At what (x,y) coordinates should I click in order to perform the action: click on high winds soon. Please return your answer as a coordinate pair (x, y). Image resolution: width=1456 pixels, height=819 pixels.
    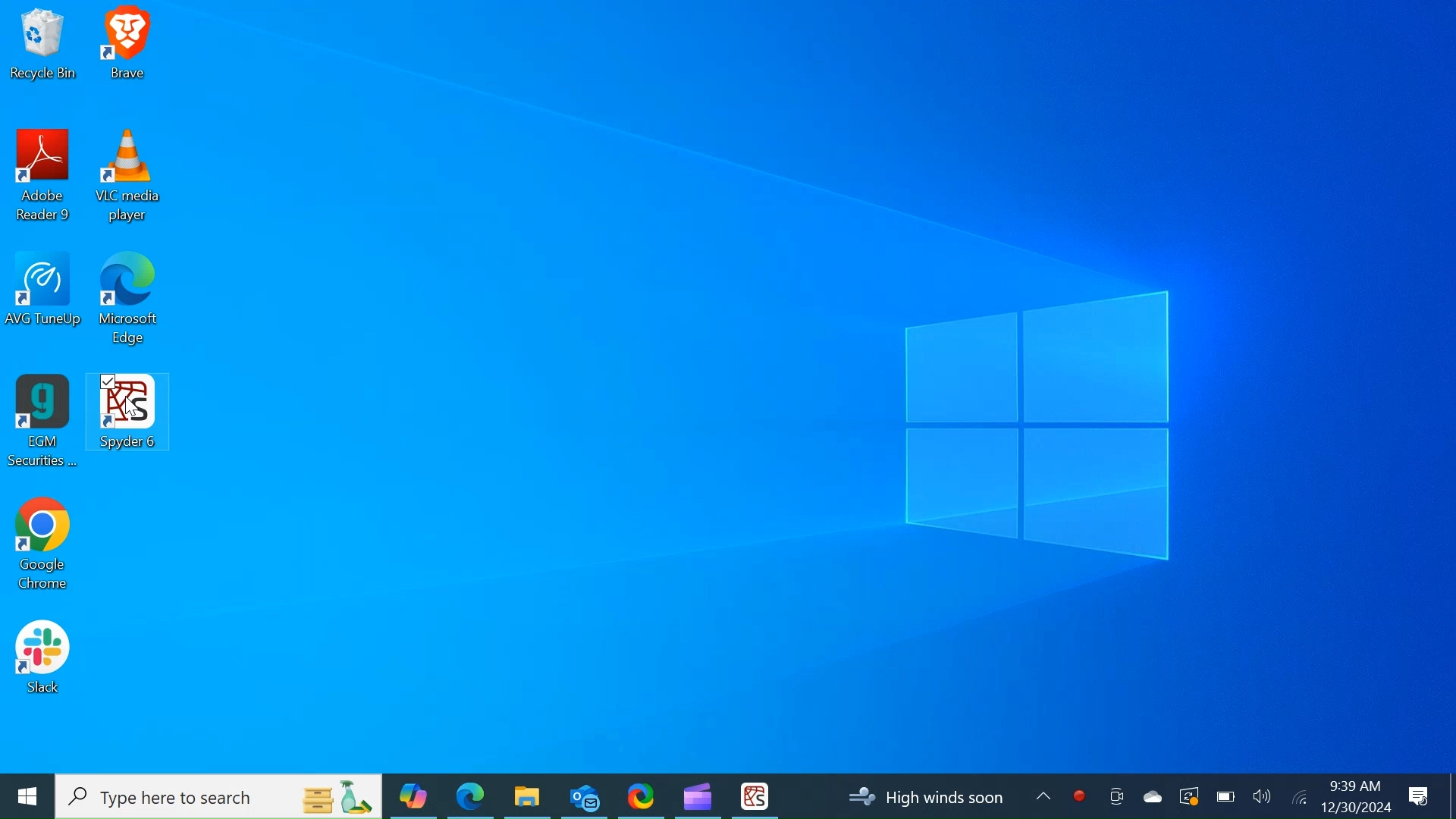
    Looking at the image, I should click on (926, 797).